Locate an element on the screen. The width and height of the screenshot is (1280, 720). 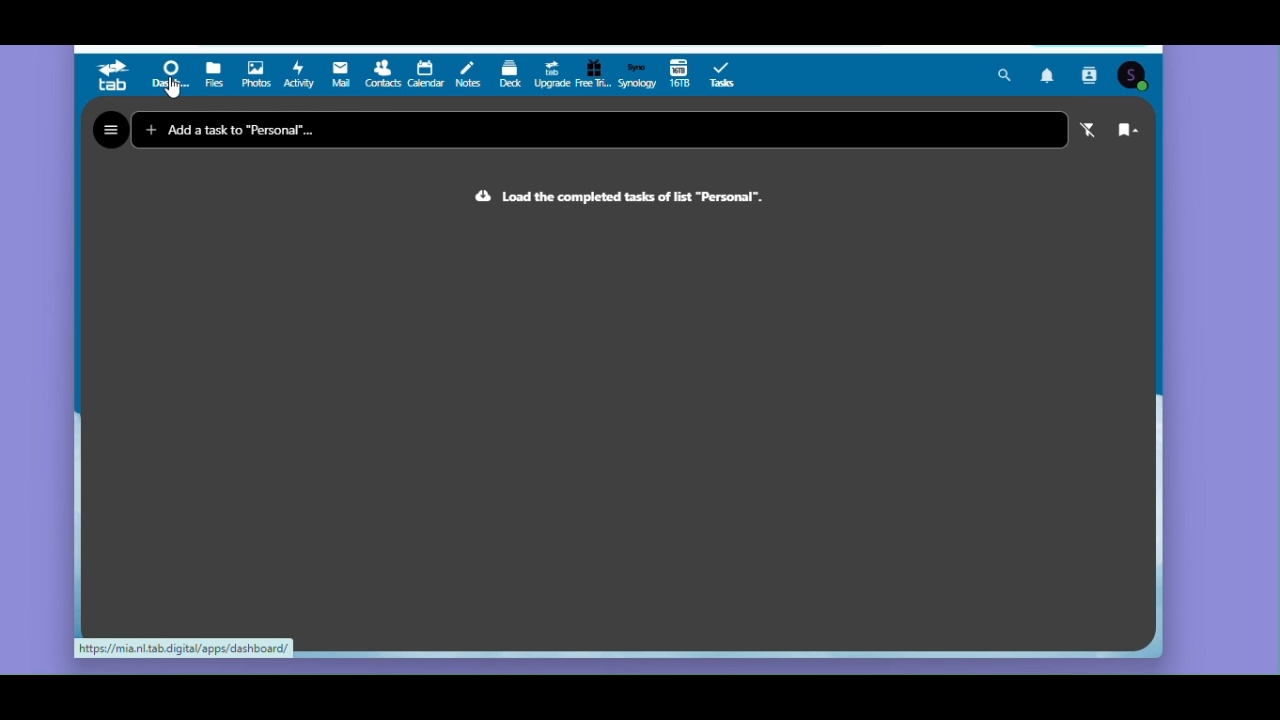
Mail is located at coordinates (337, 76).